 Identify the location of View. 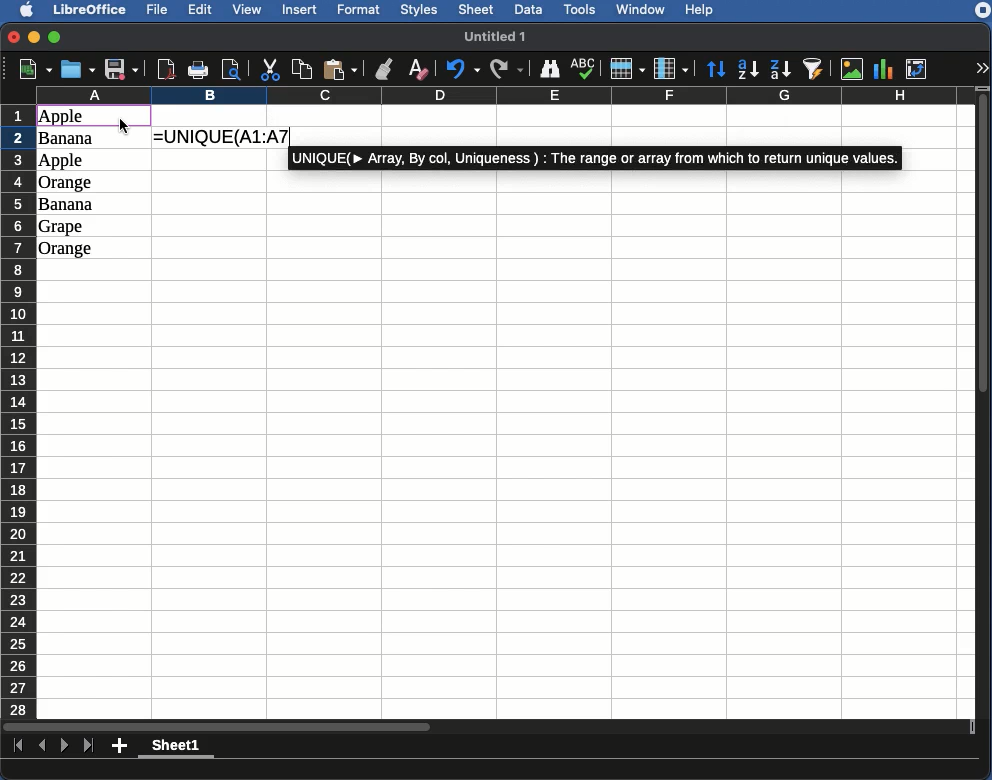
(249, 11).